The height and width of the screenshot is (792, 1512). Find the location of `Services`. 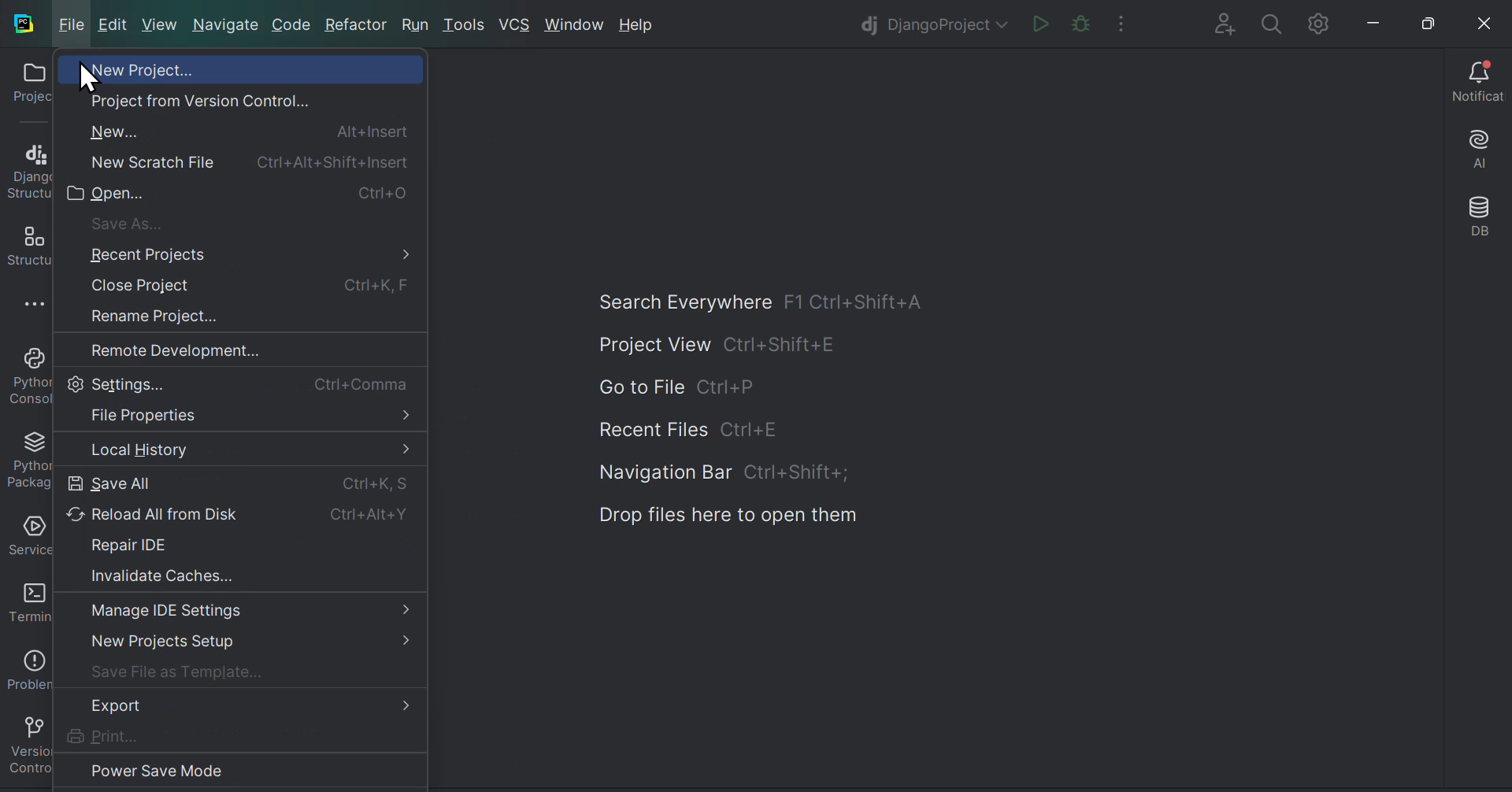

Services is located at coordinates (29, 531).